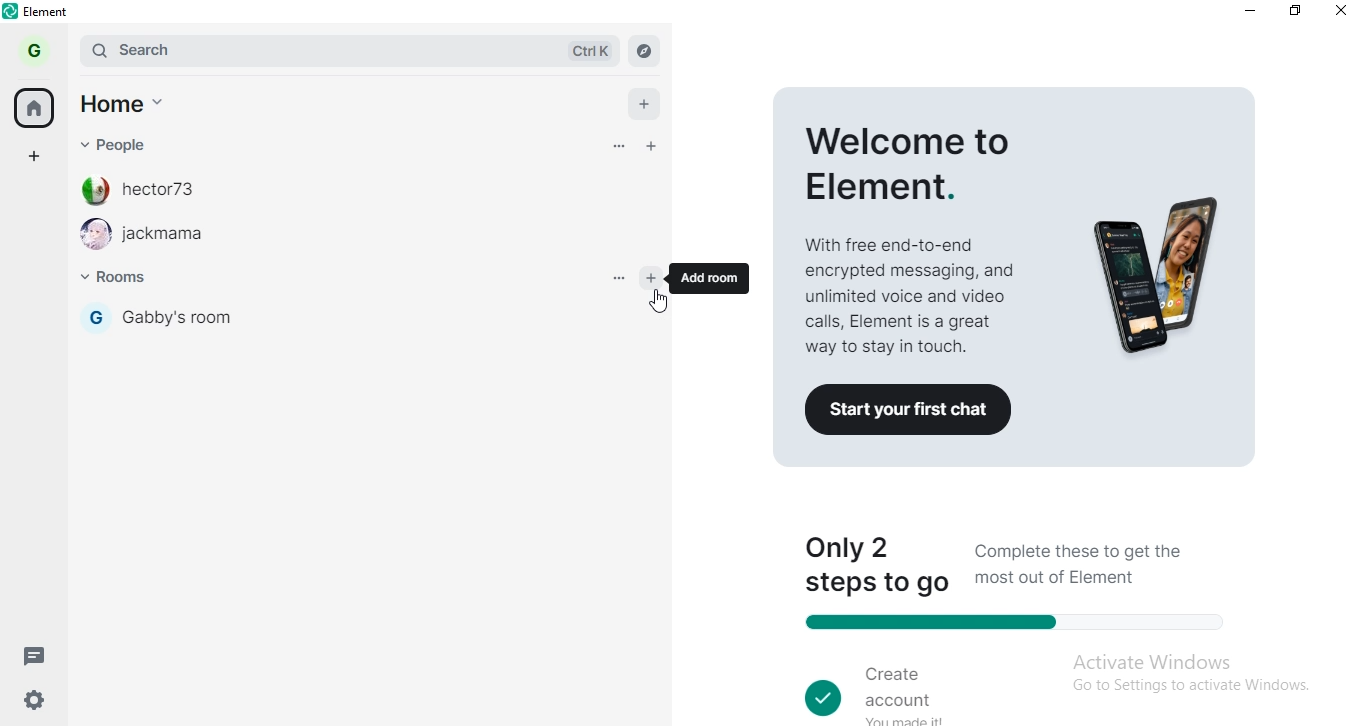 The height and width of the screenshot is (726, 1366). Describe the element at coordinates (585, 50) in the screenshot. I see `ctrl k` at that location.